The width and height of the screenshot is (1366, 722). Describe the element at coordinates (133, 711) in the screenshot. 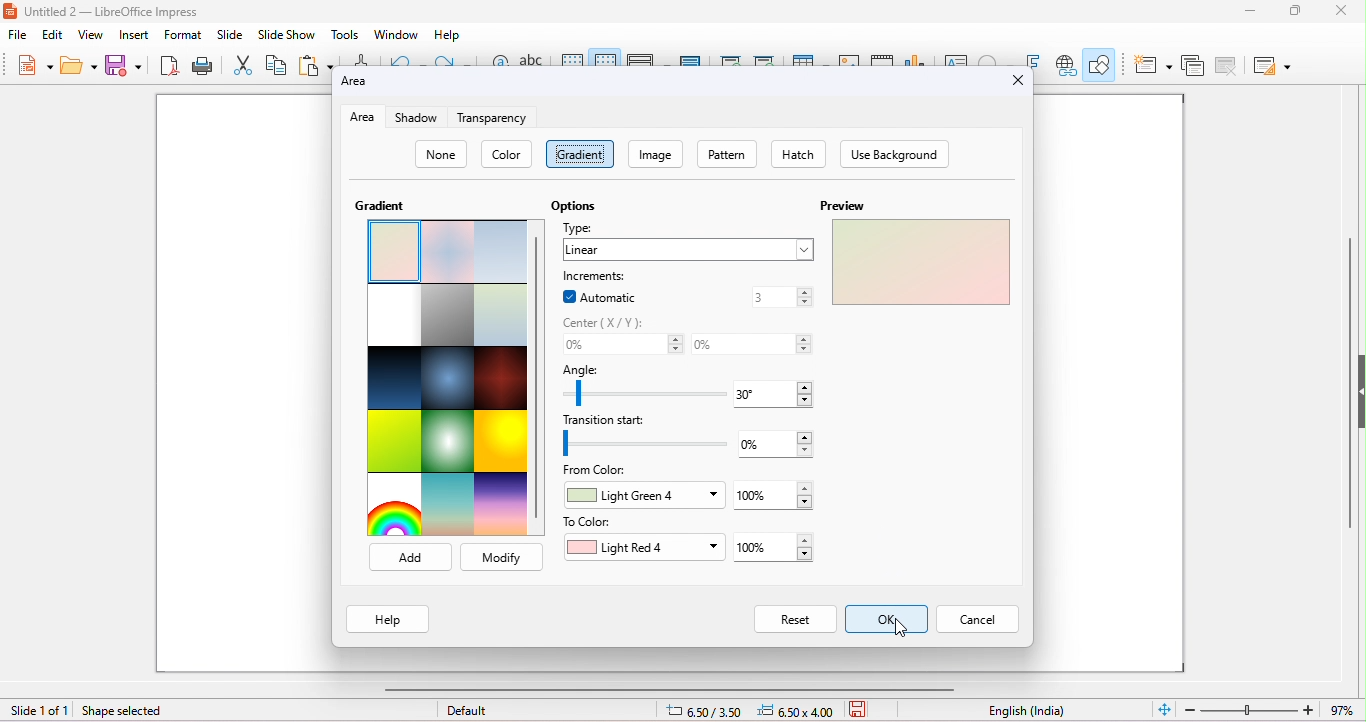

I see `shape selected` at that location.